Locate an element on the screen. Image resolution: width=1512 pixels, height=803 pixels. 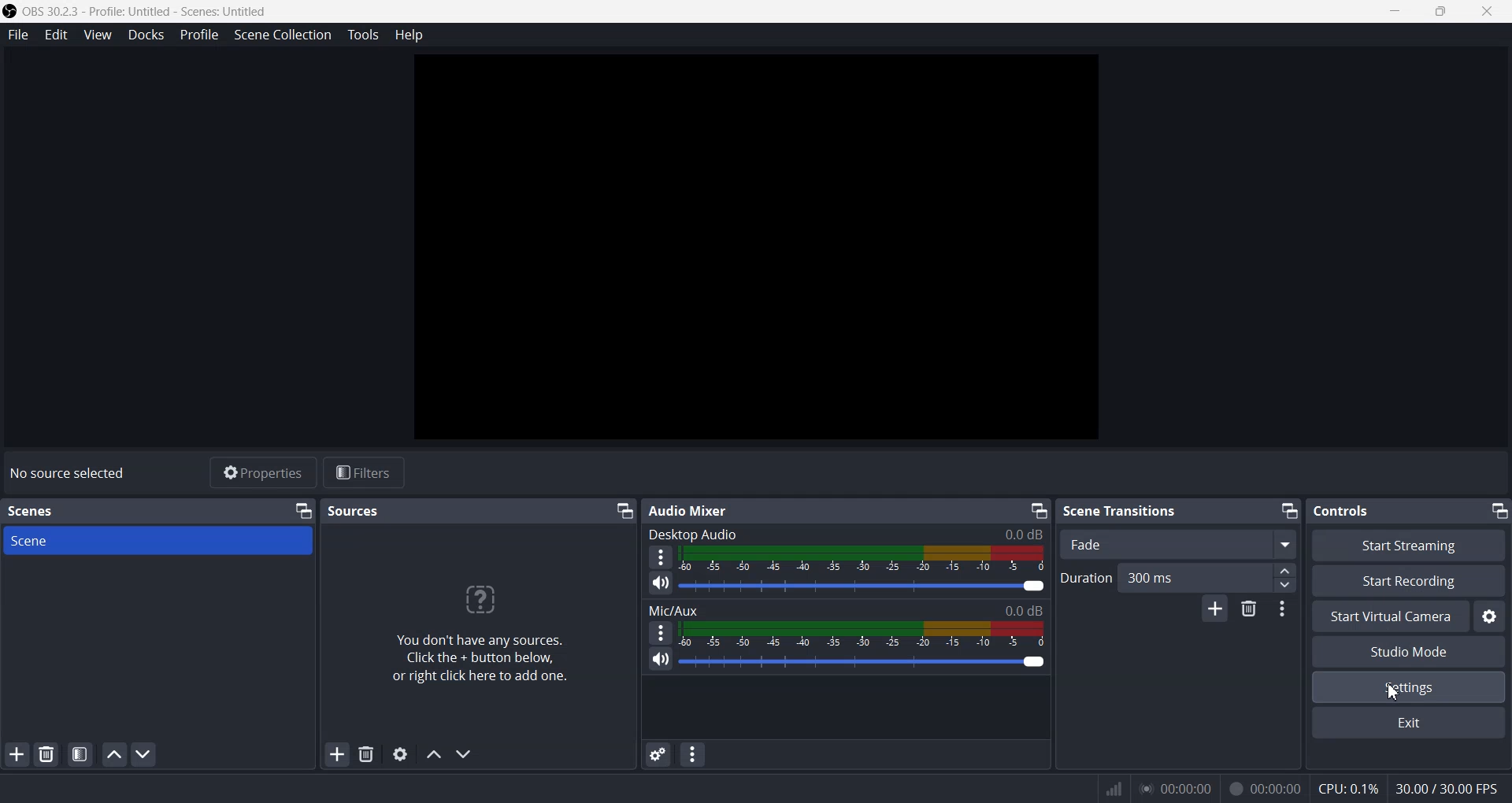
Desktop Audio is located at coordinates (845, 535).